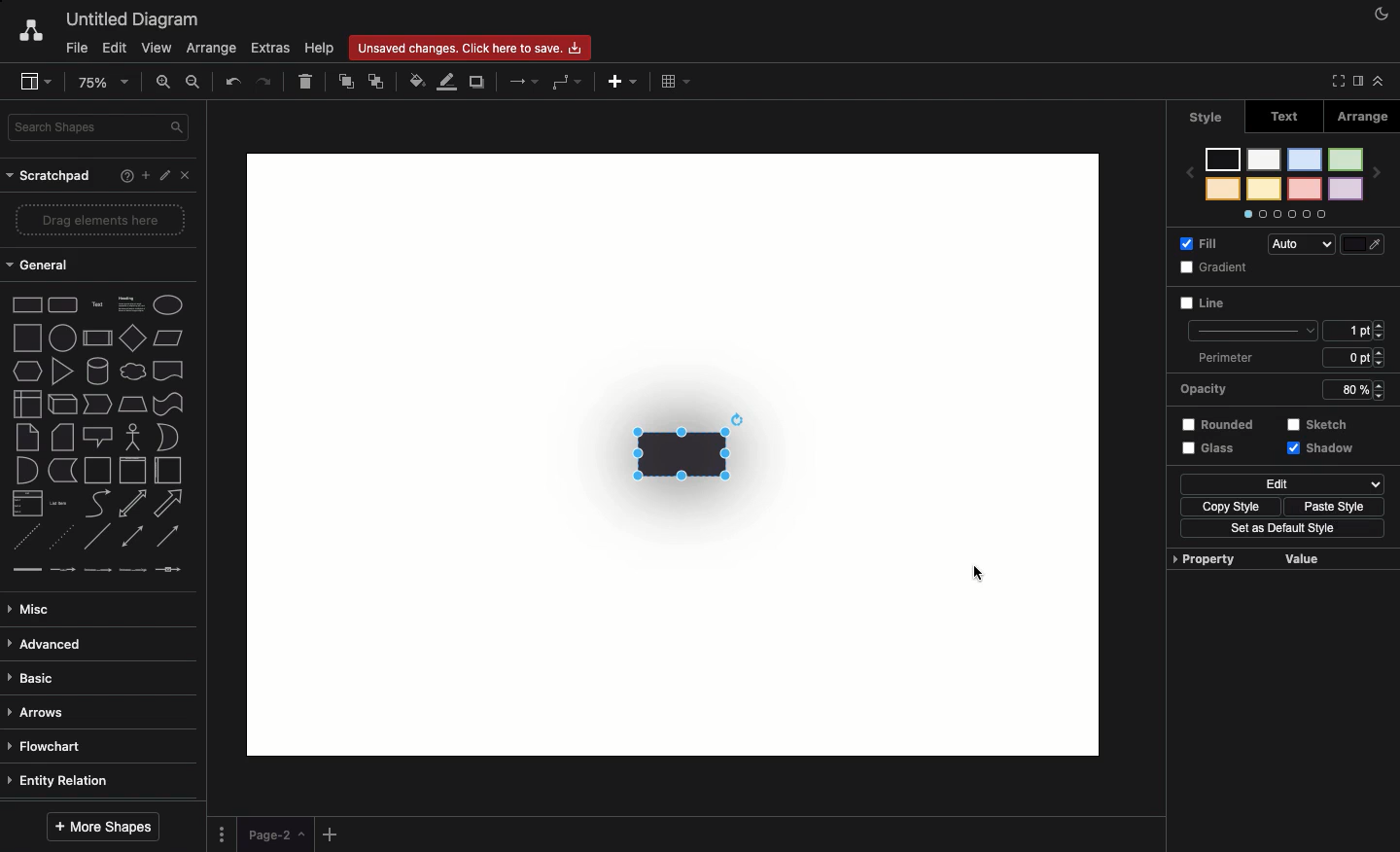 The height and width of the screenshot is (852, 1400). I want to click on Heading, so click(130, 307).